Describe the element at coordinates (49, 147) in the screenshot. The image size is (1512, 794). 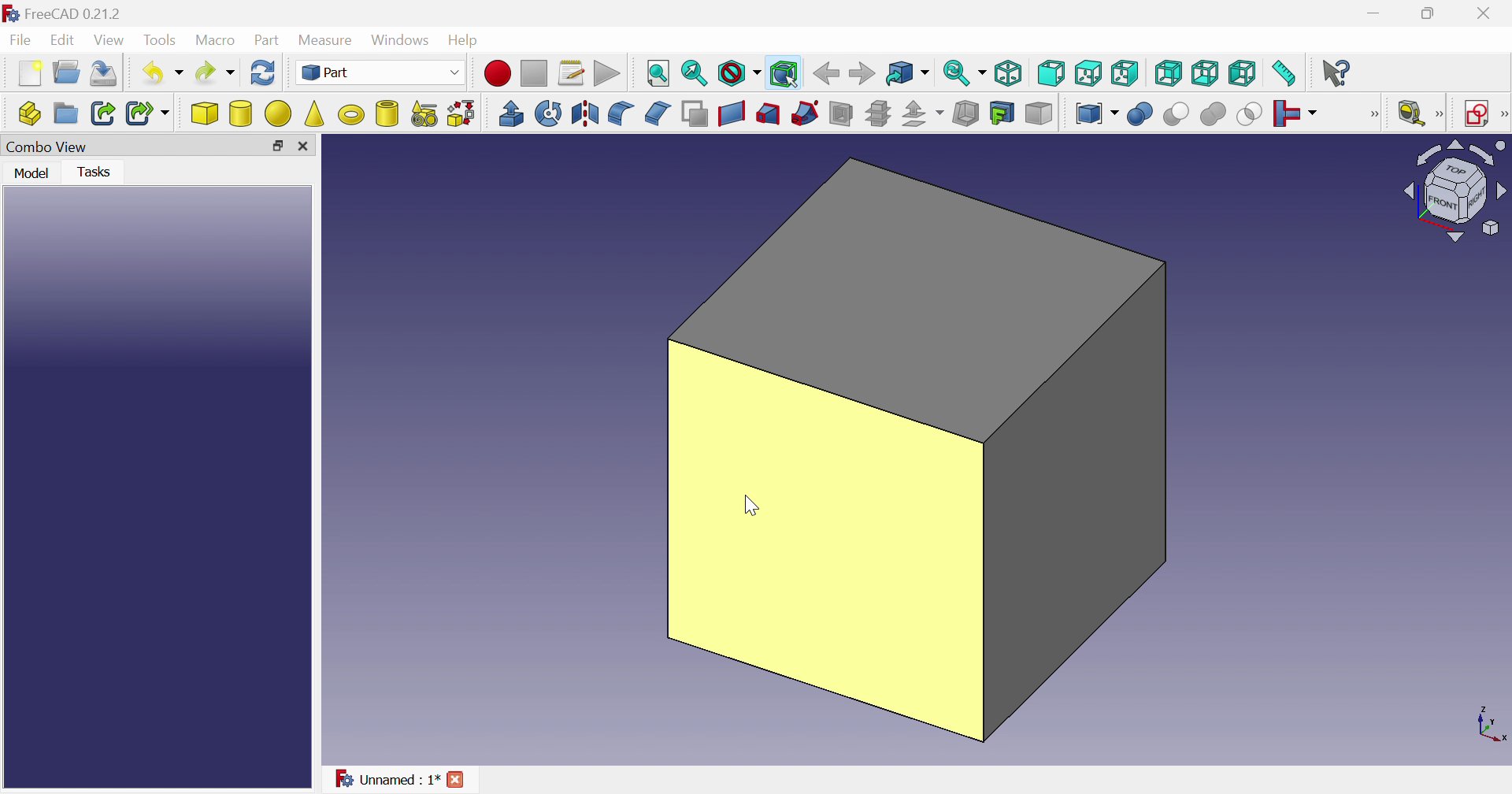
I see `Combo view` at that location.